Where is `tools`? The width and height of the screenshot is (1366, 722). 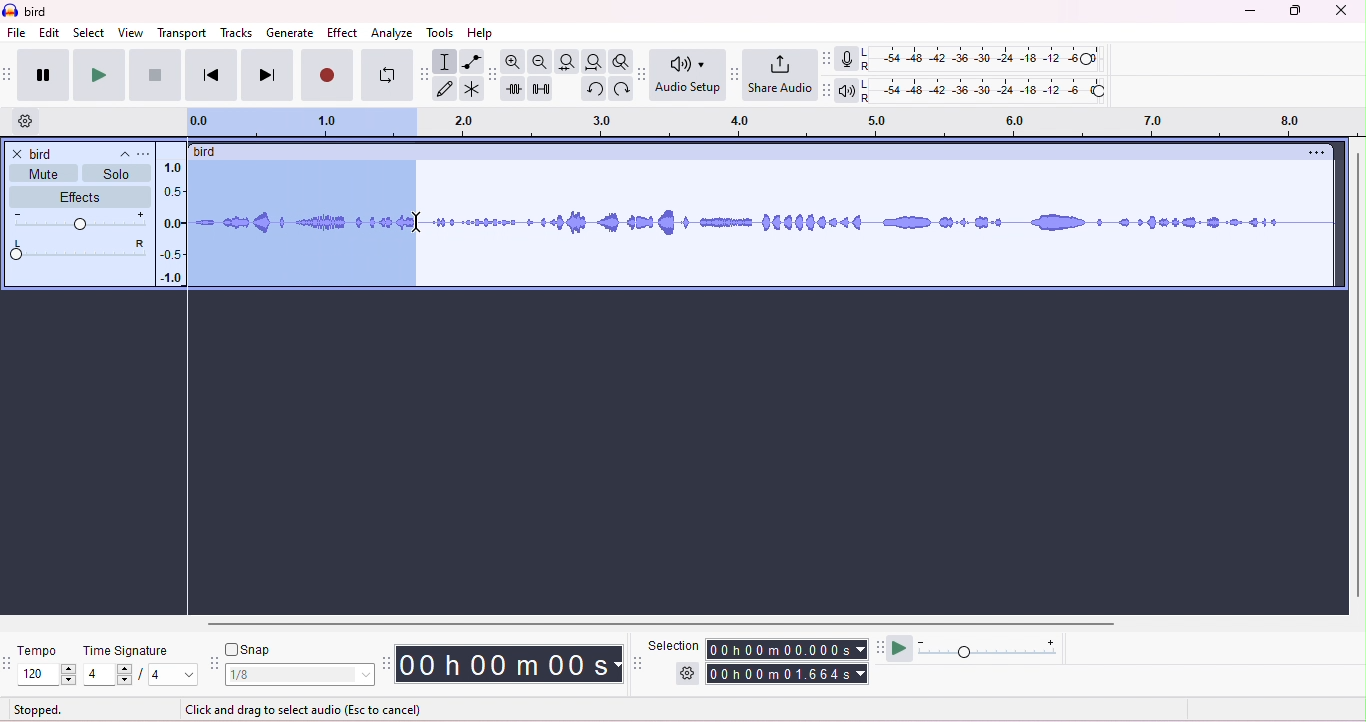 tools is located at coordinates (439, 33).